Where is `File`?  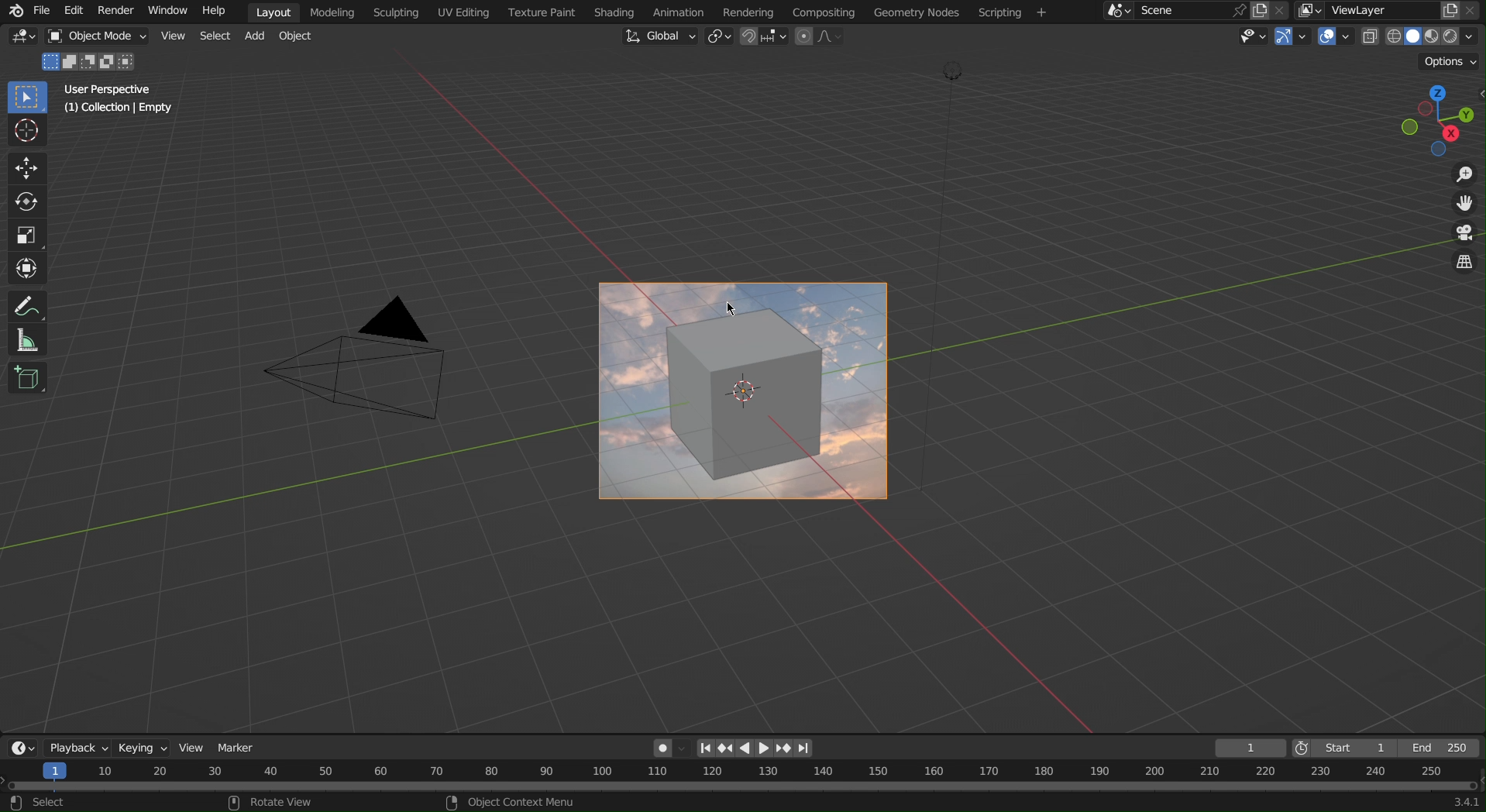
File is located at coordinates (41, 11).